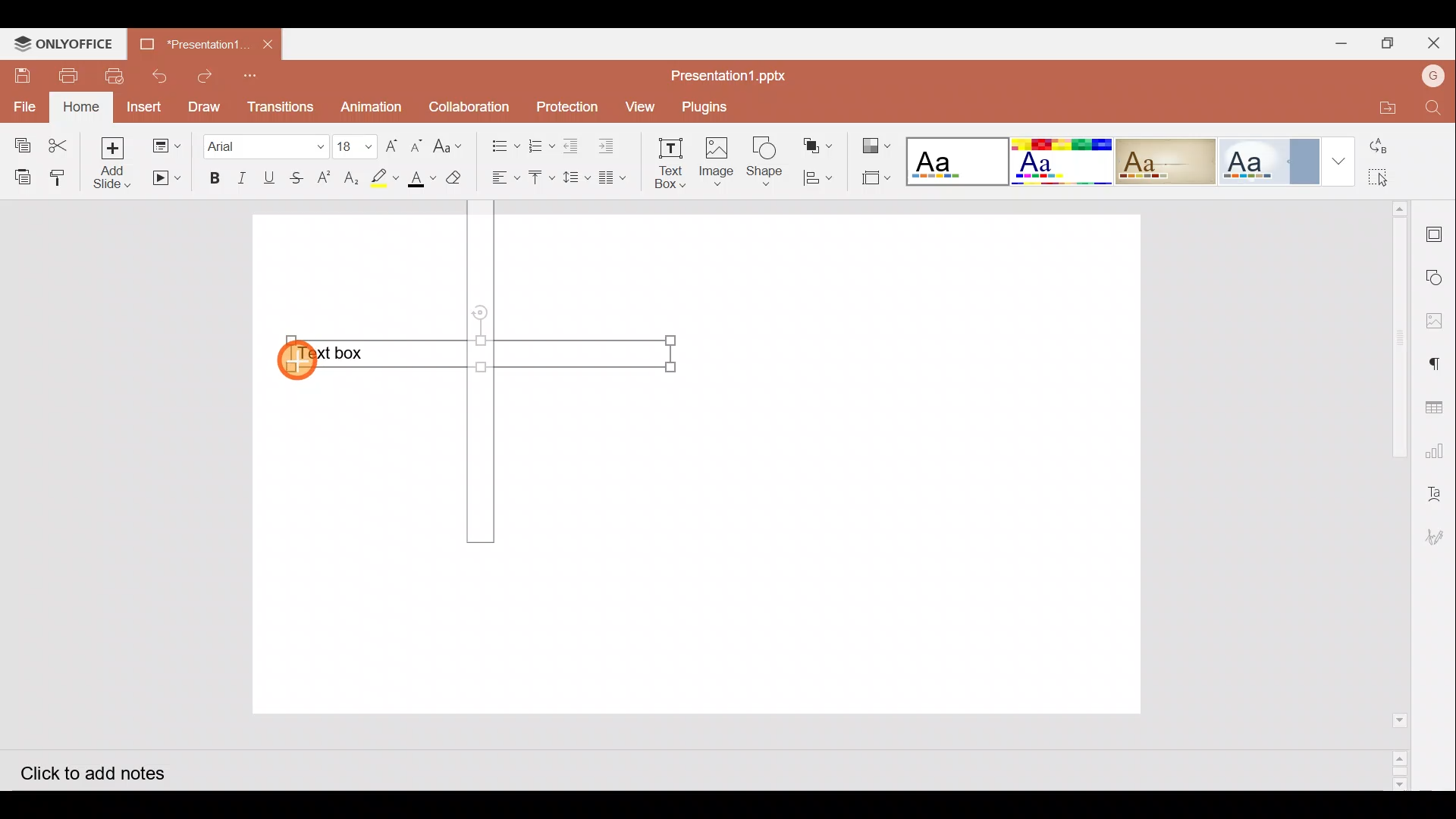 The height and width of the screenshot is (819, 1456). Describe the element at coordinates (573, 145) in the screenshot. I see `Decrease indent` at that location.